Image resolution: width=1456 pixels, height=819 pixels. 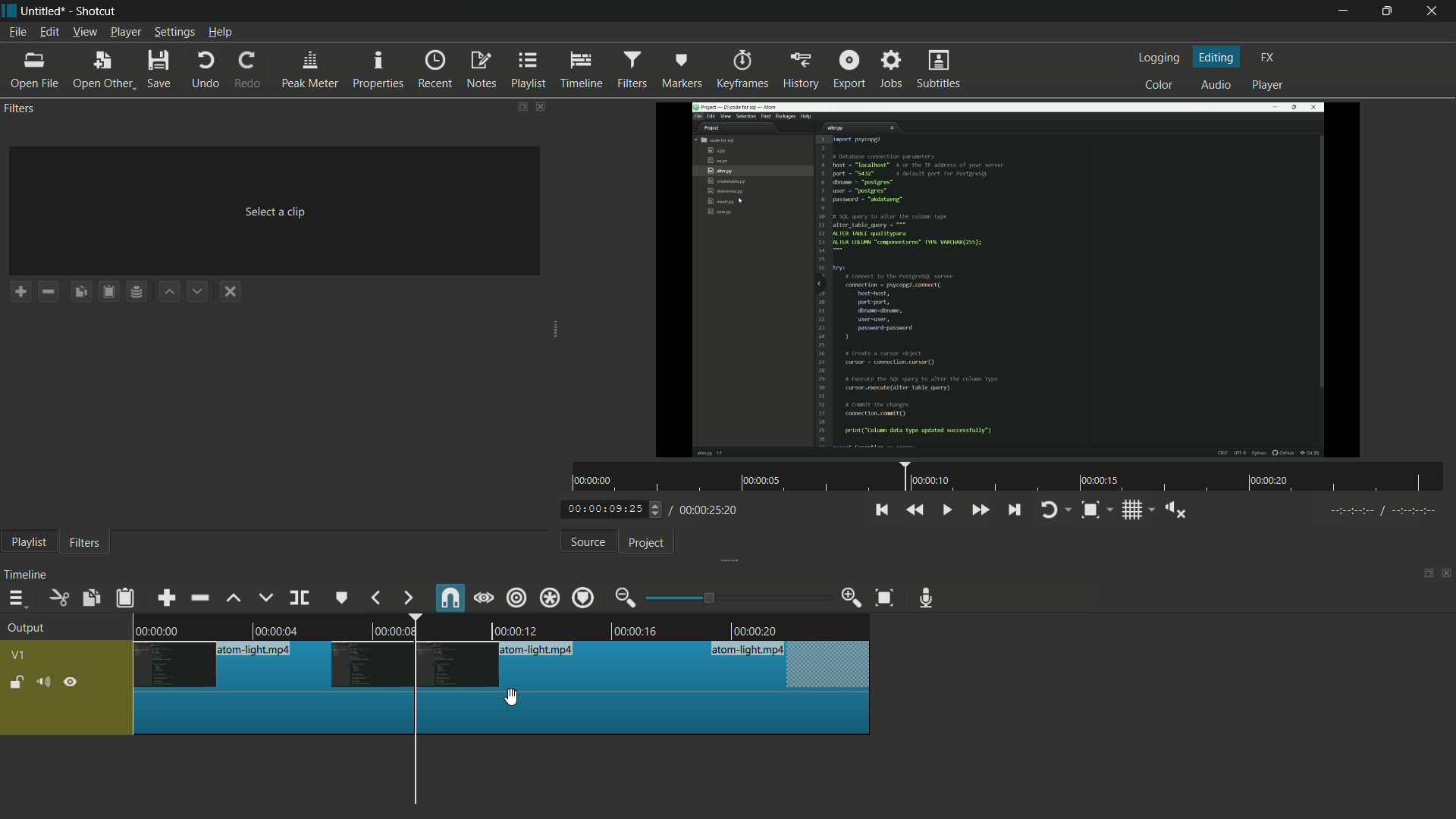 I want to click on v1, so click(x=17, y=655).